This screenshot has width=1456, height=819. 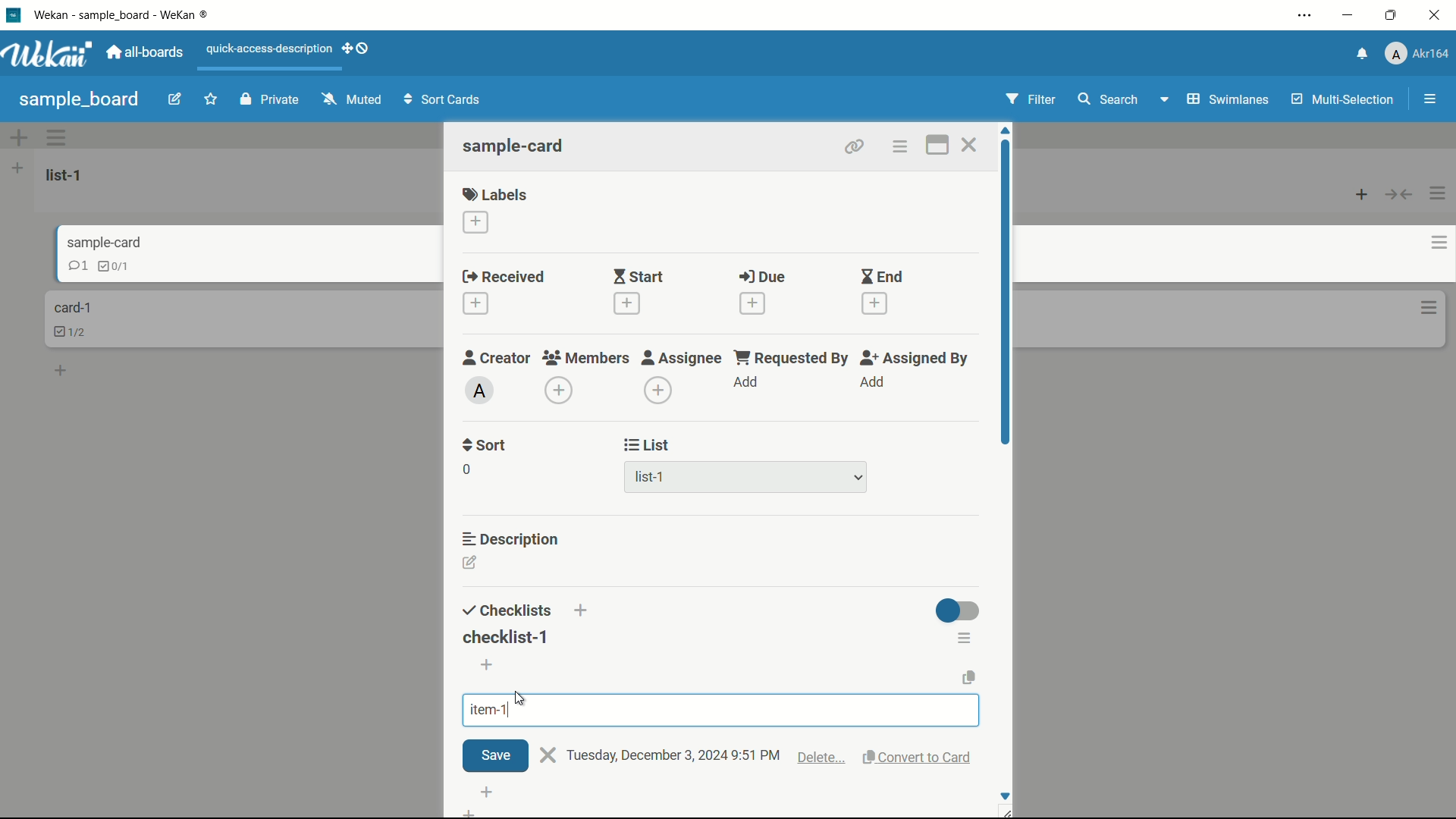 I want to click on close app, so click(x=1434, y=15).